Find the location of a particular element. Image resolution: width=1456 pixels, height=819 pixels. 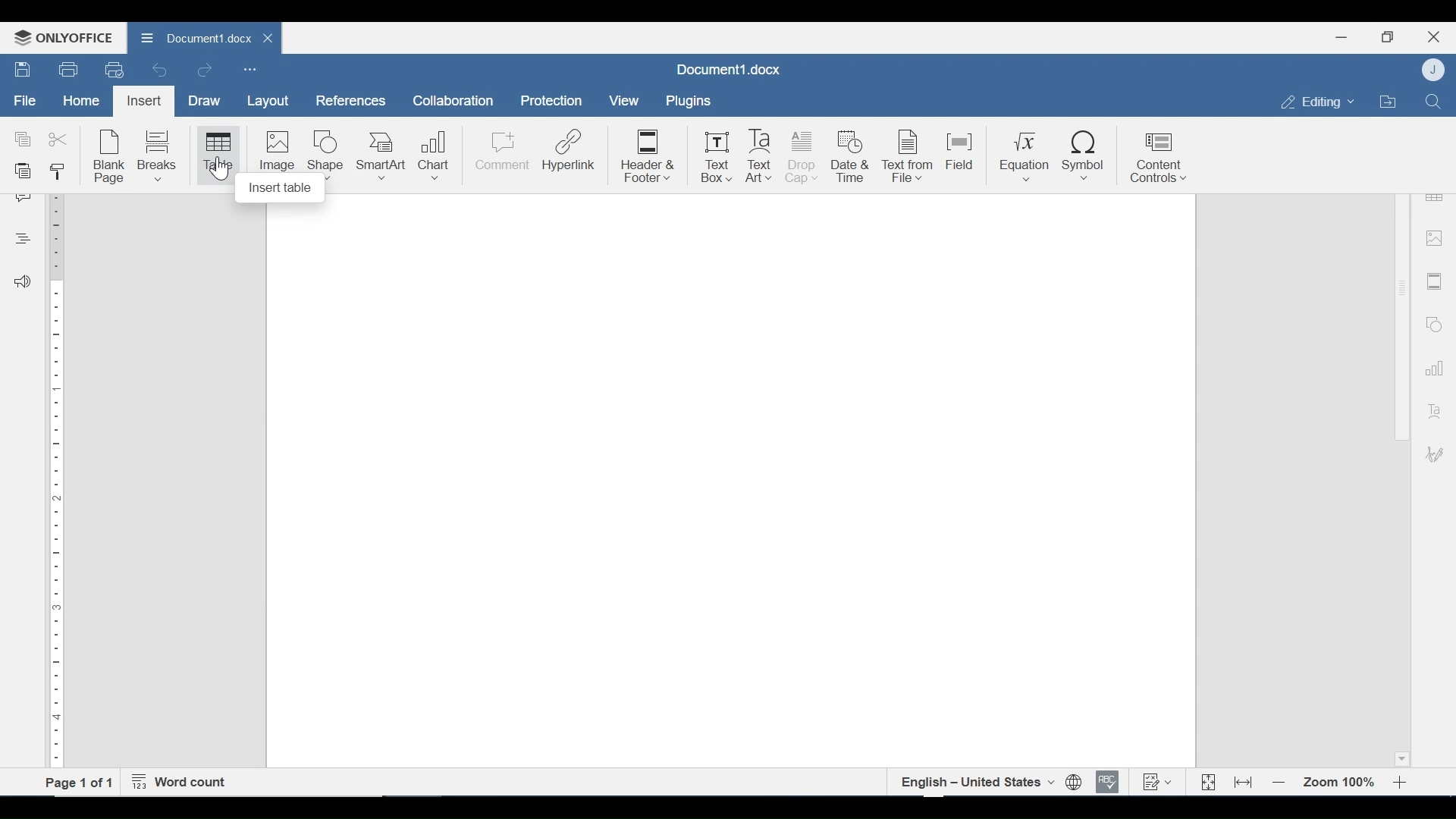

Undo is located at coordinates (160, 70).